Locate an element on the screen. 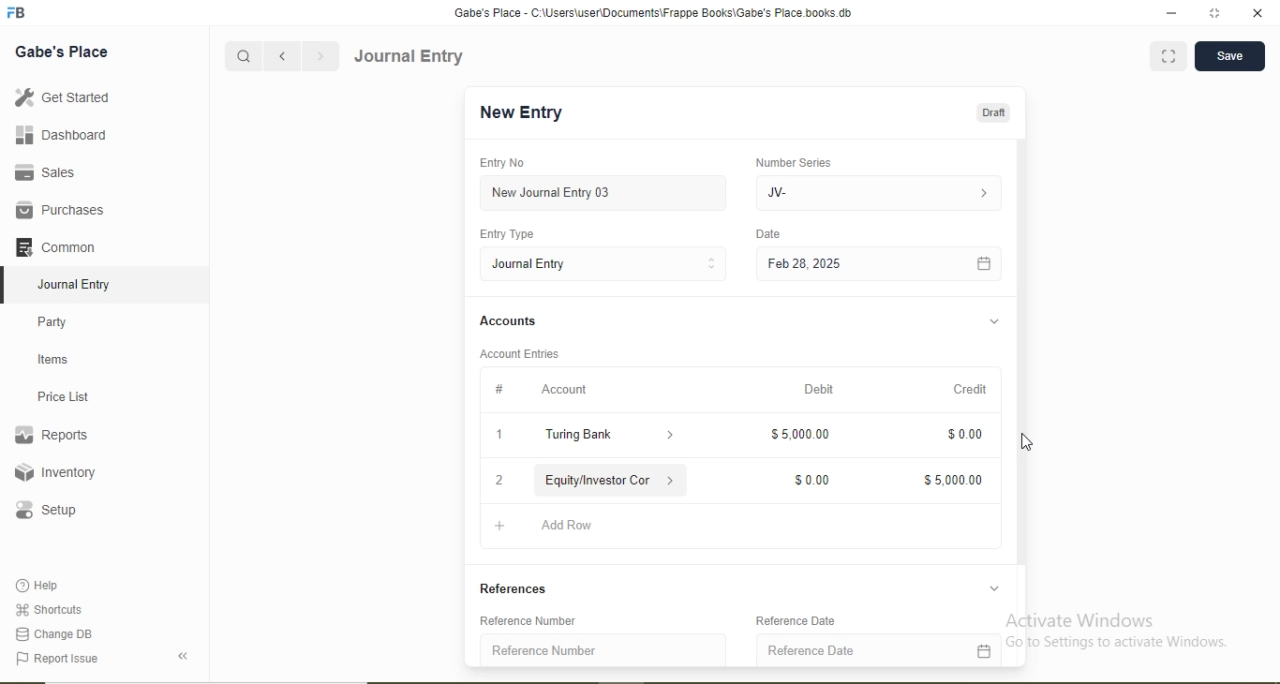 The image size is (1280, 684). minimize is located at coordinates (1169, 14).